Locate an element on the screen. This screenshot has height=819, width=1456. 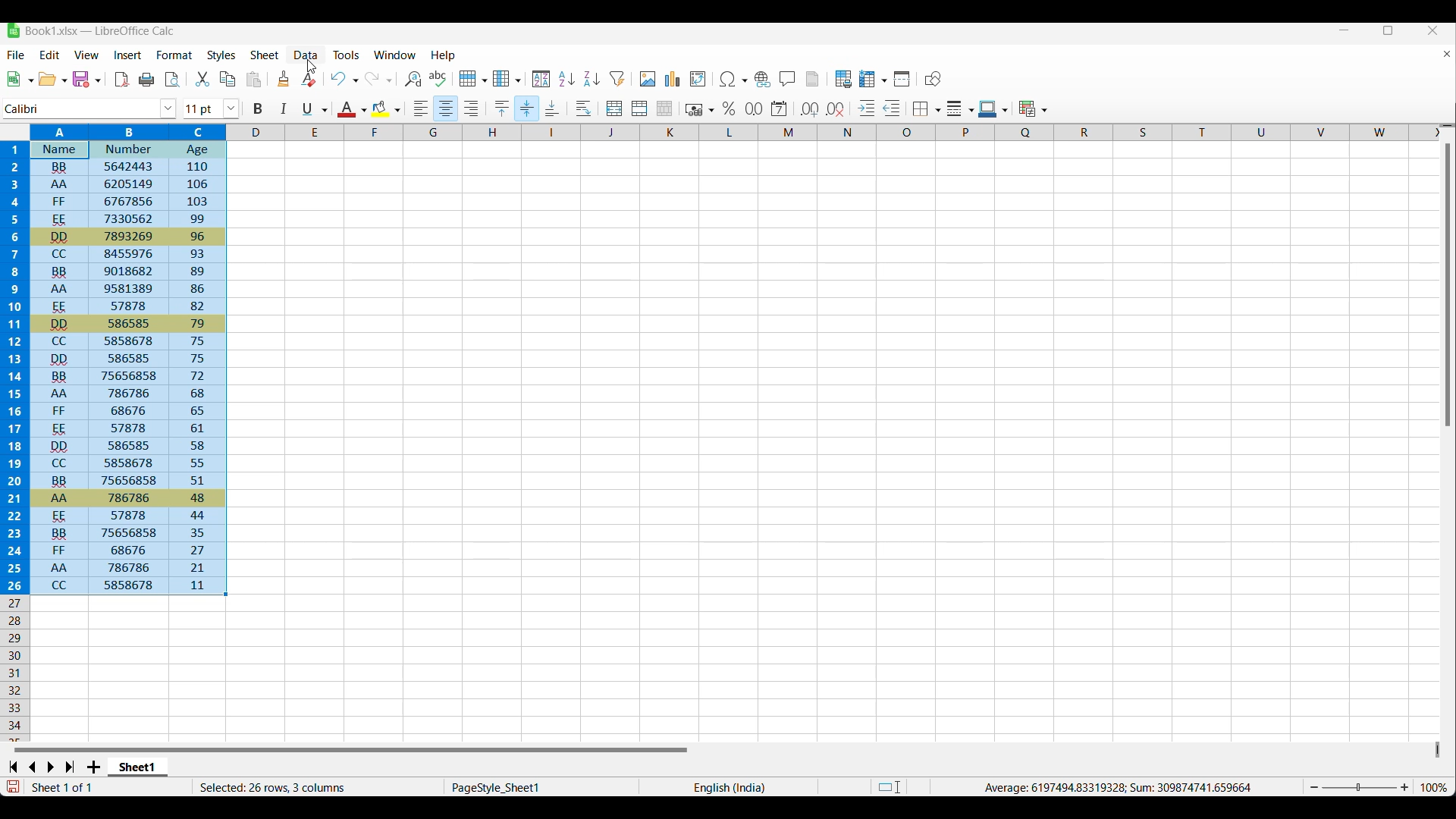
Current zoom factor is located at coordinates (1434, 787).